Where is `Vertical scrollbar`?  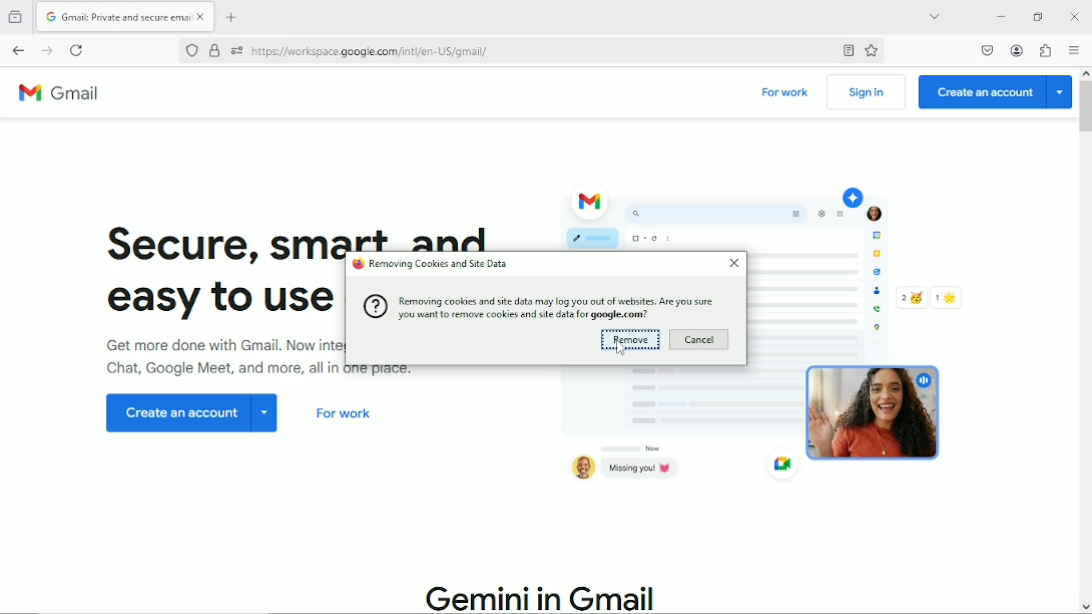 Vertical scrollbar is located at coordinates (1084, 107).